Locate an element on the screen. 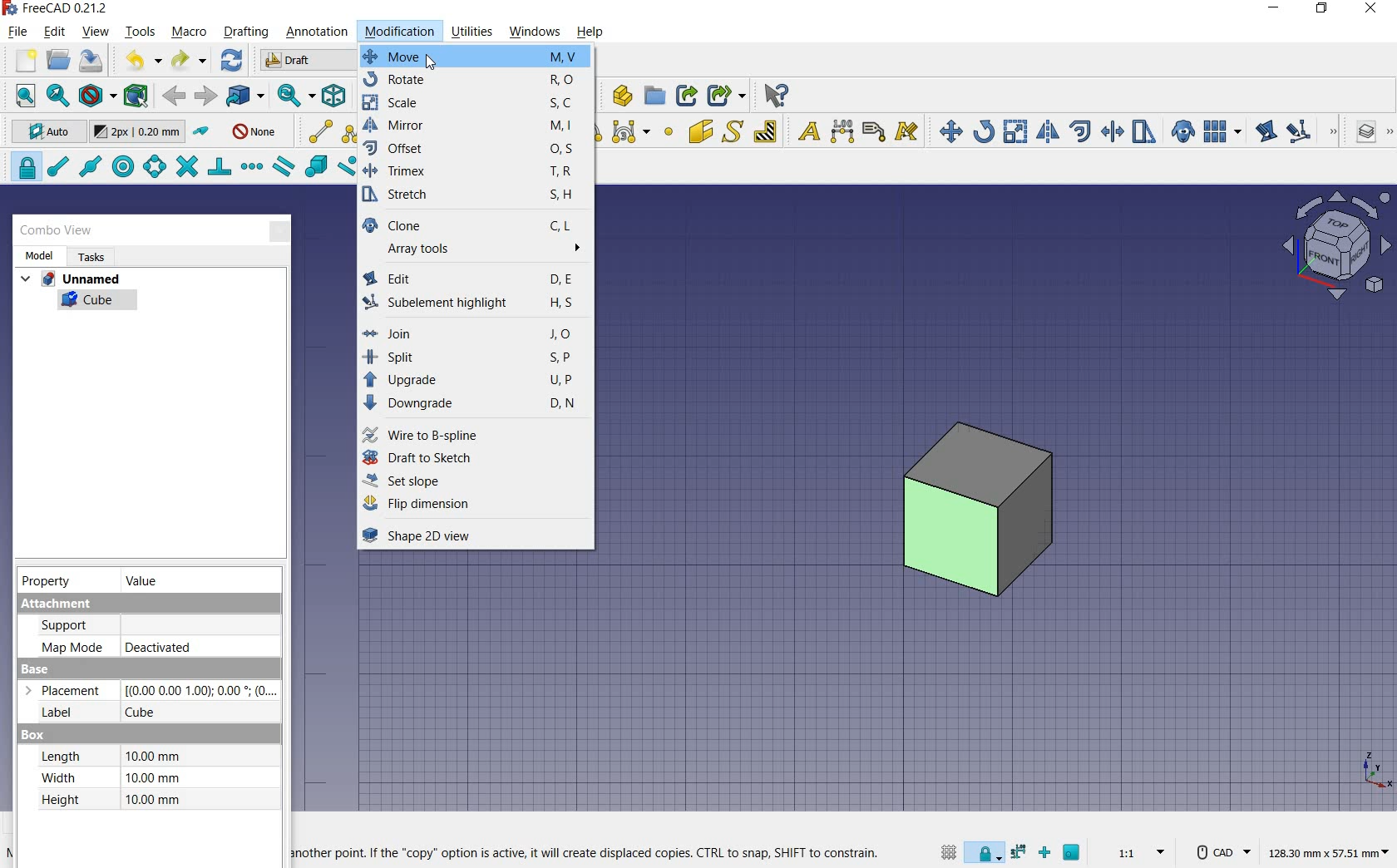 This screenshot has height=868, width=1397. Bezier tools is located at coordinates (630, 133).